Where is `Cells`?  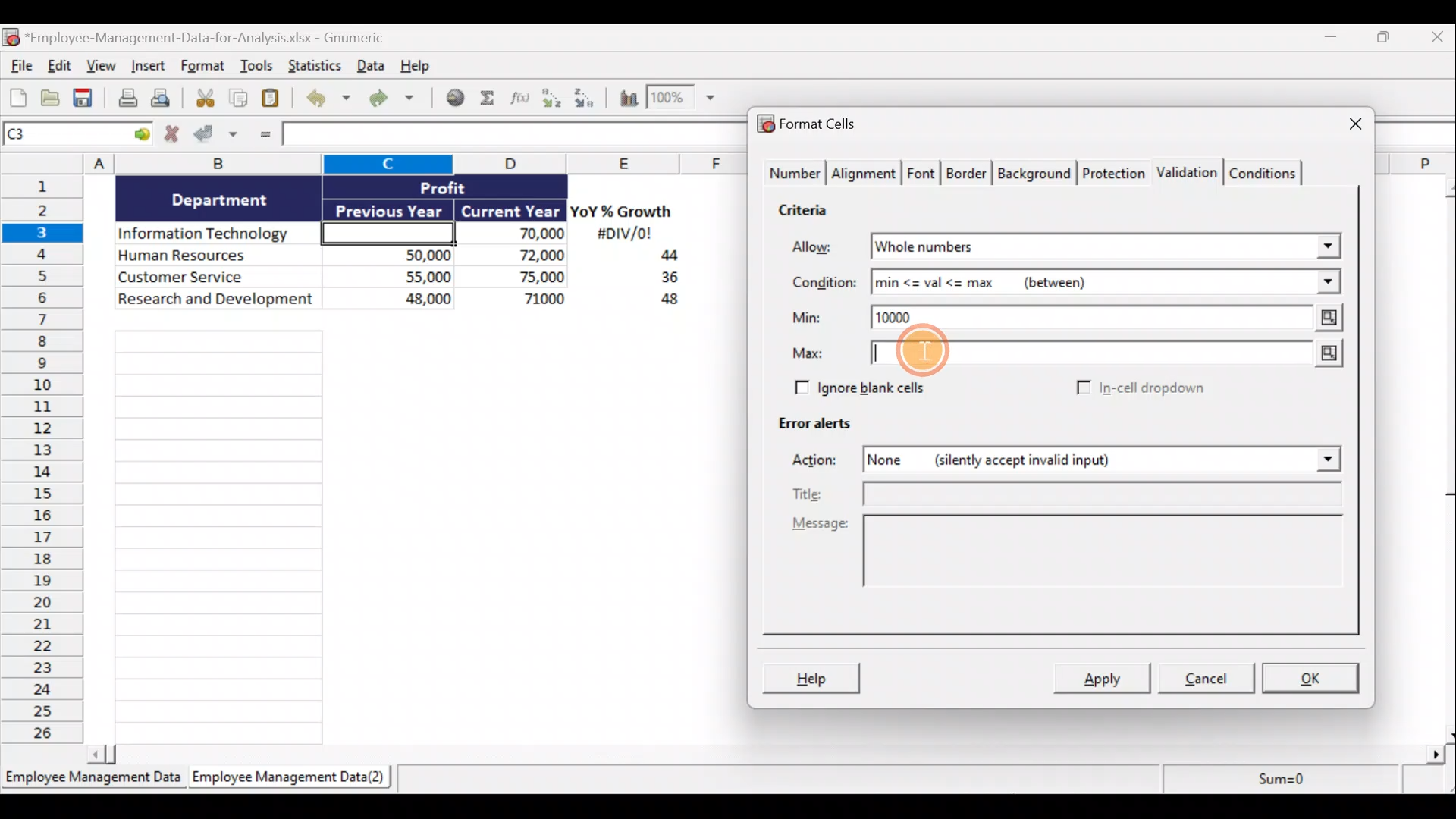 Cells is located at coordinates (408, 531).